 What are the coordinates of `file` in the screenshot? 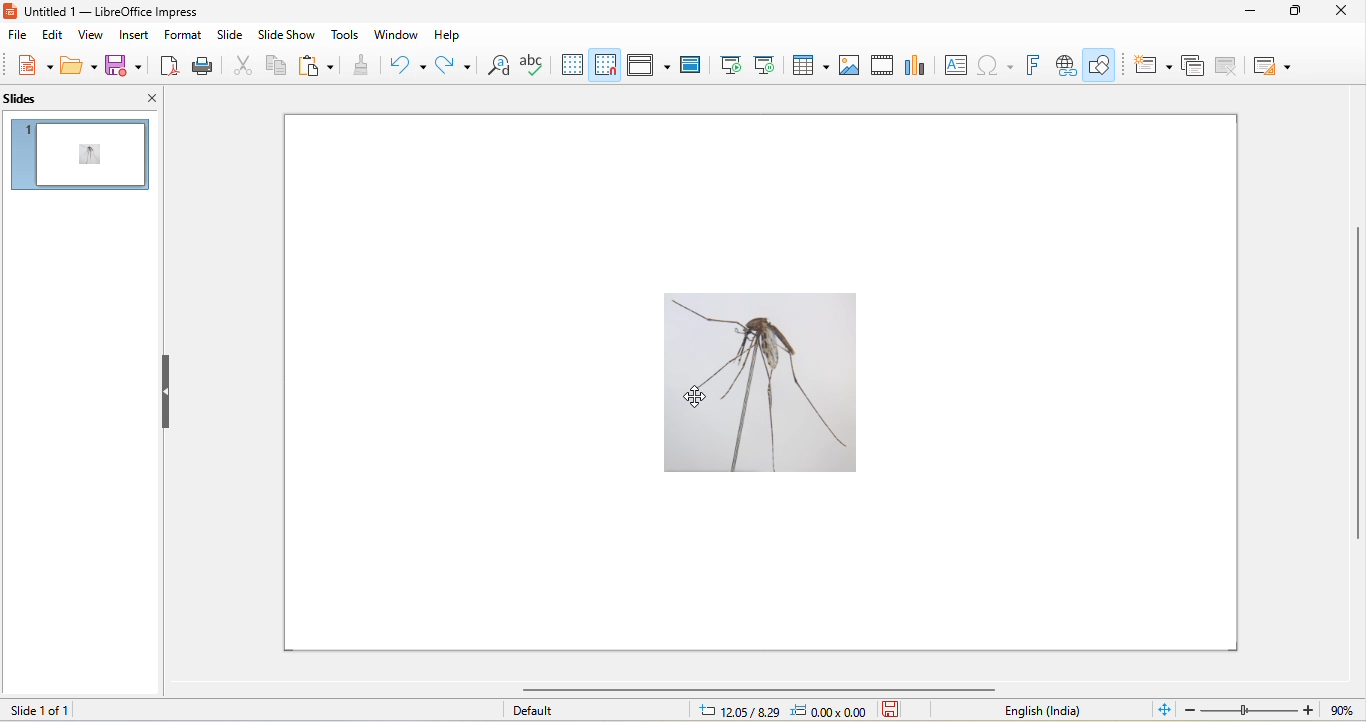 It's located at (15, 35).